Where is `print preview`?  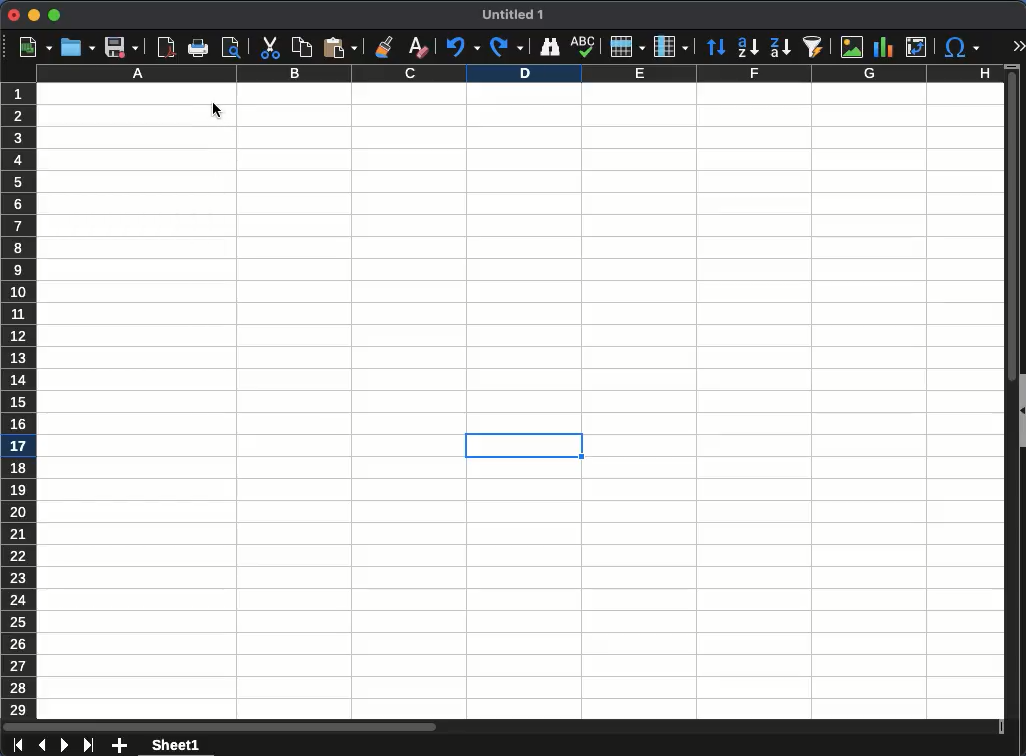 print preview is located at coordinates (231, 47).